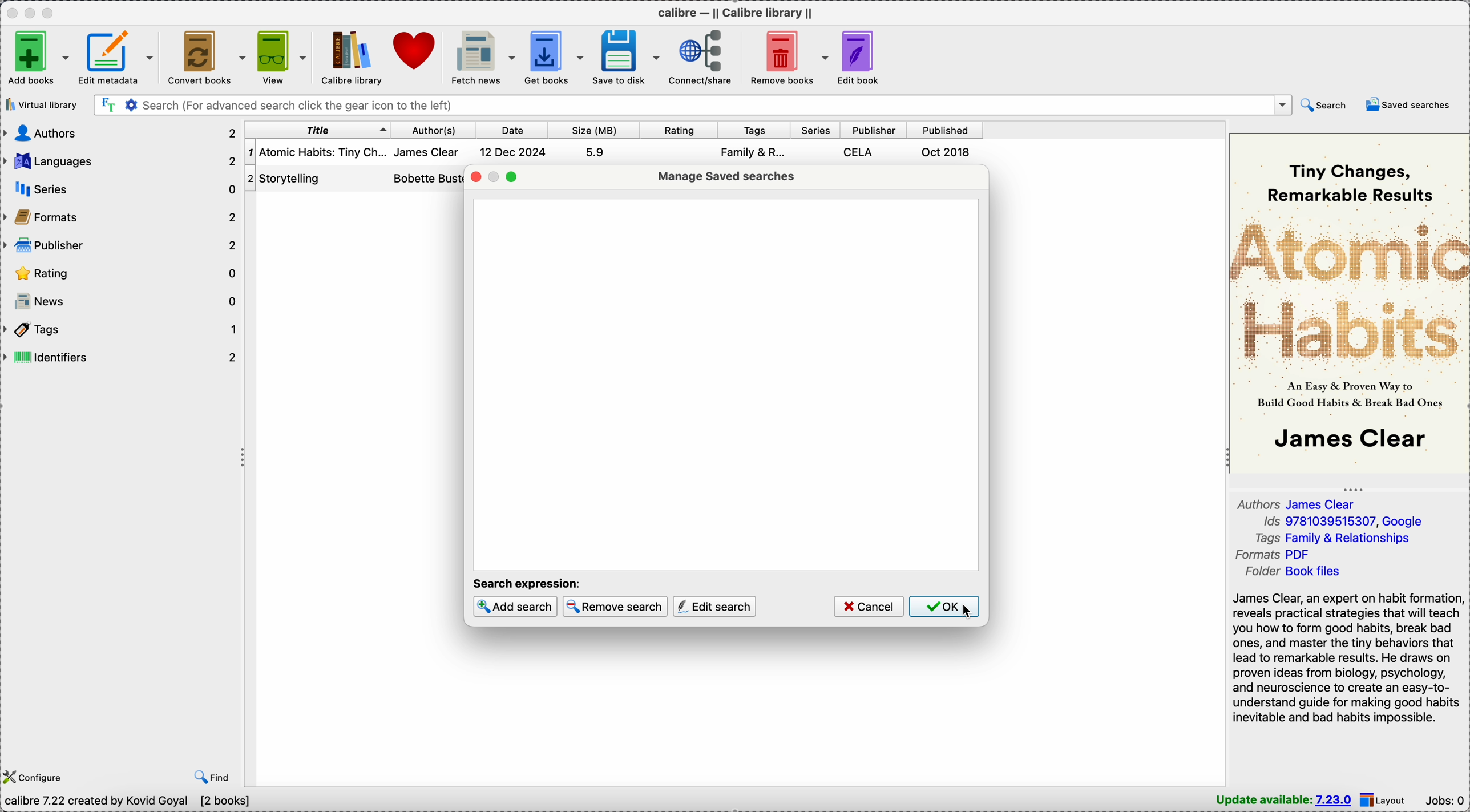  What do you see at coordinates (966, 613) in the screenshot?
I see `cursor` at bounding box center [966, 613].